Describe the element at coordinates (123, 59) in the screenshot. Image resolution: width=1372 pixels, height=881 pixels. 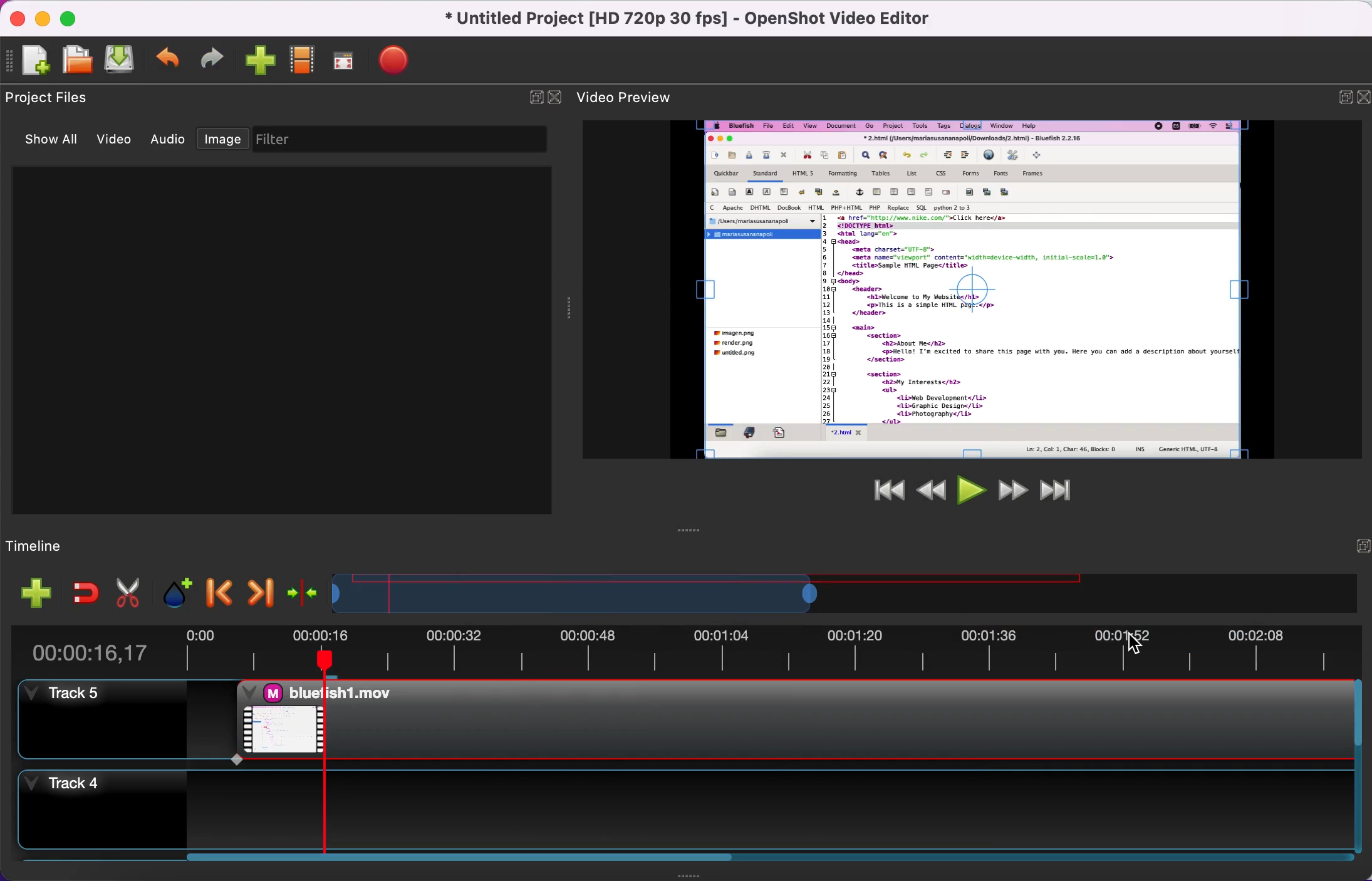
I see `save project` at that location.